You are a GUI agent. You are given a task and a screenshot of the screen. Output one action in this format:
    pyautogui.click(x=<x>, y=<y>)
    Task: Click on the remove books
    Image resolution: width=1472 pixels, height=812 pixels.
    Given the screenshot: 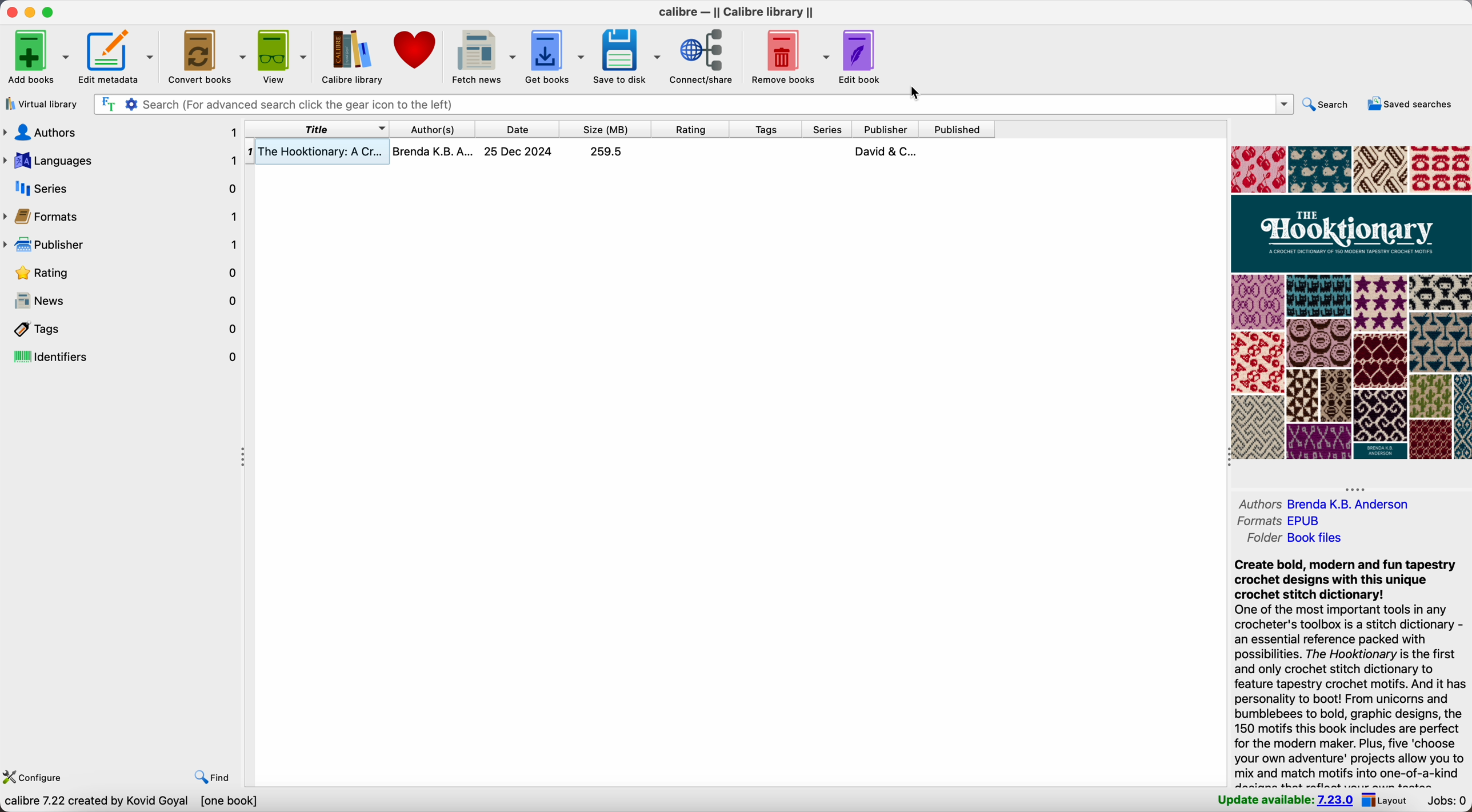 What is the action you would take?
    pyautogui.click(x=789, y=55)
    